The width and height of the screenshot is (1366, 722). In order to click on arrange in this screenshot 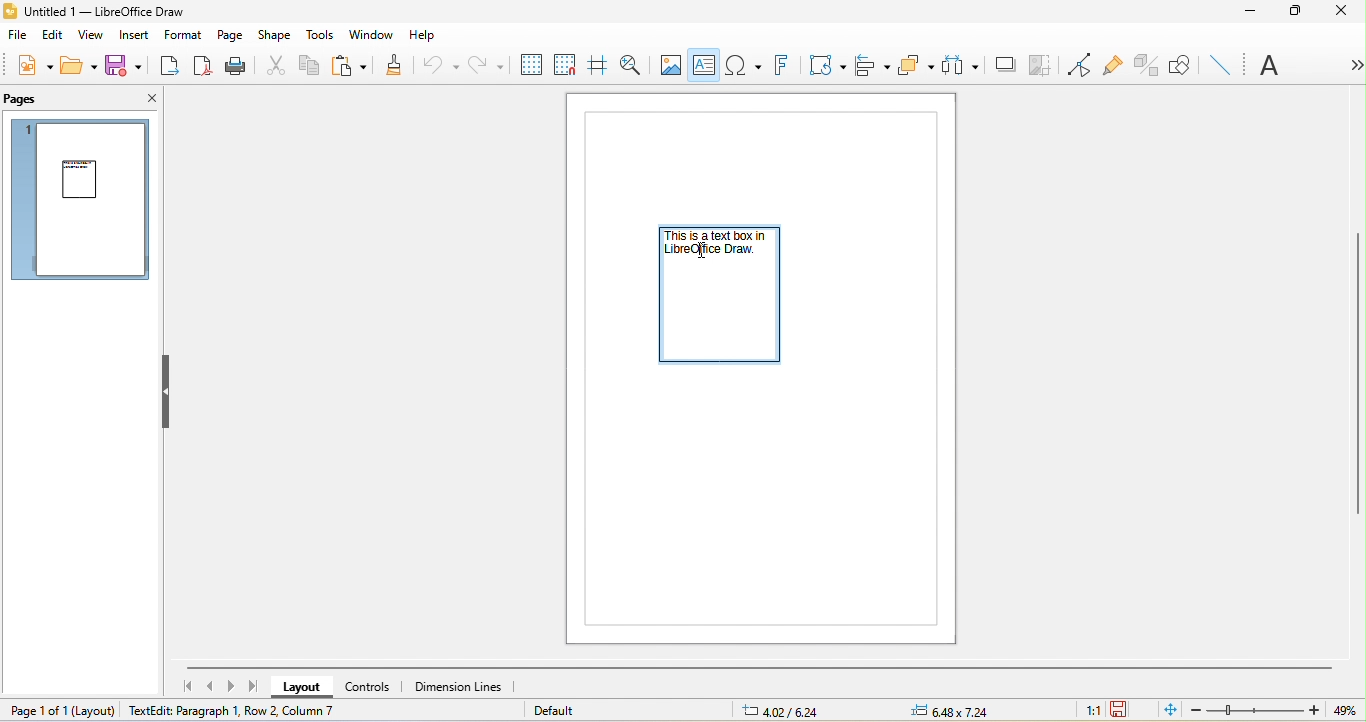, I will do `click(915, 65)`.